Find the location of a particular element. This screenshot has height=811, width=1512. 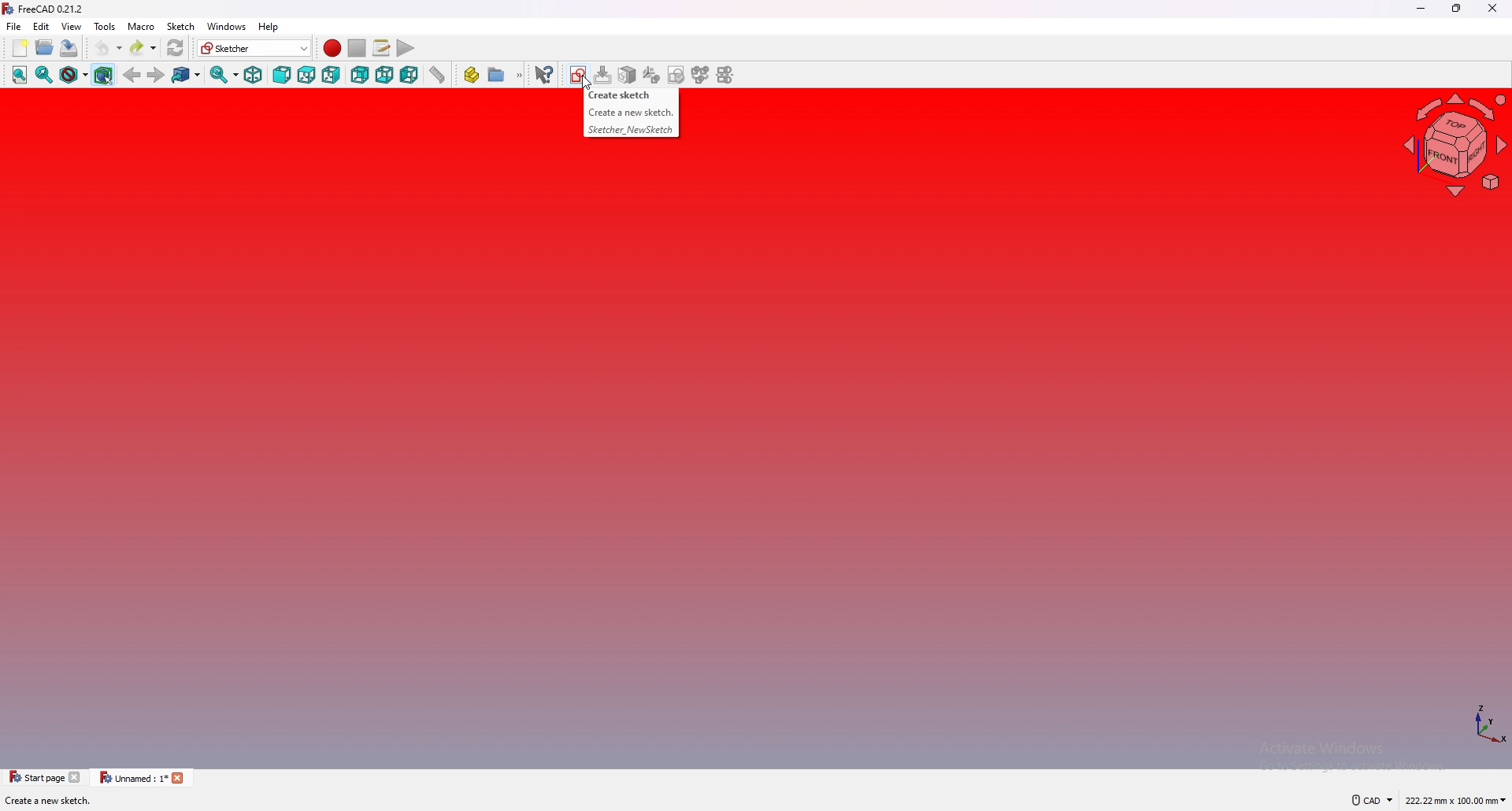

left is located at coordinates (409, 74).